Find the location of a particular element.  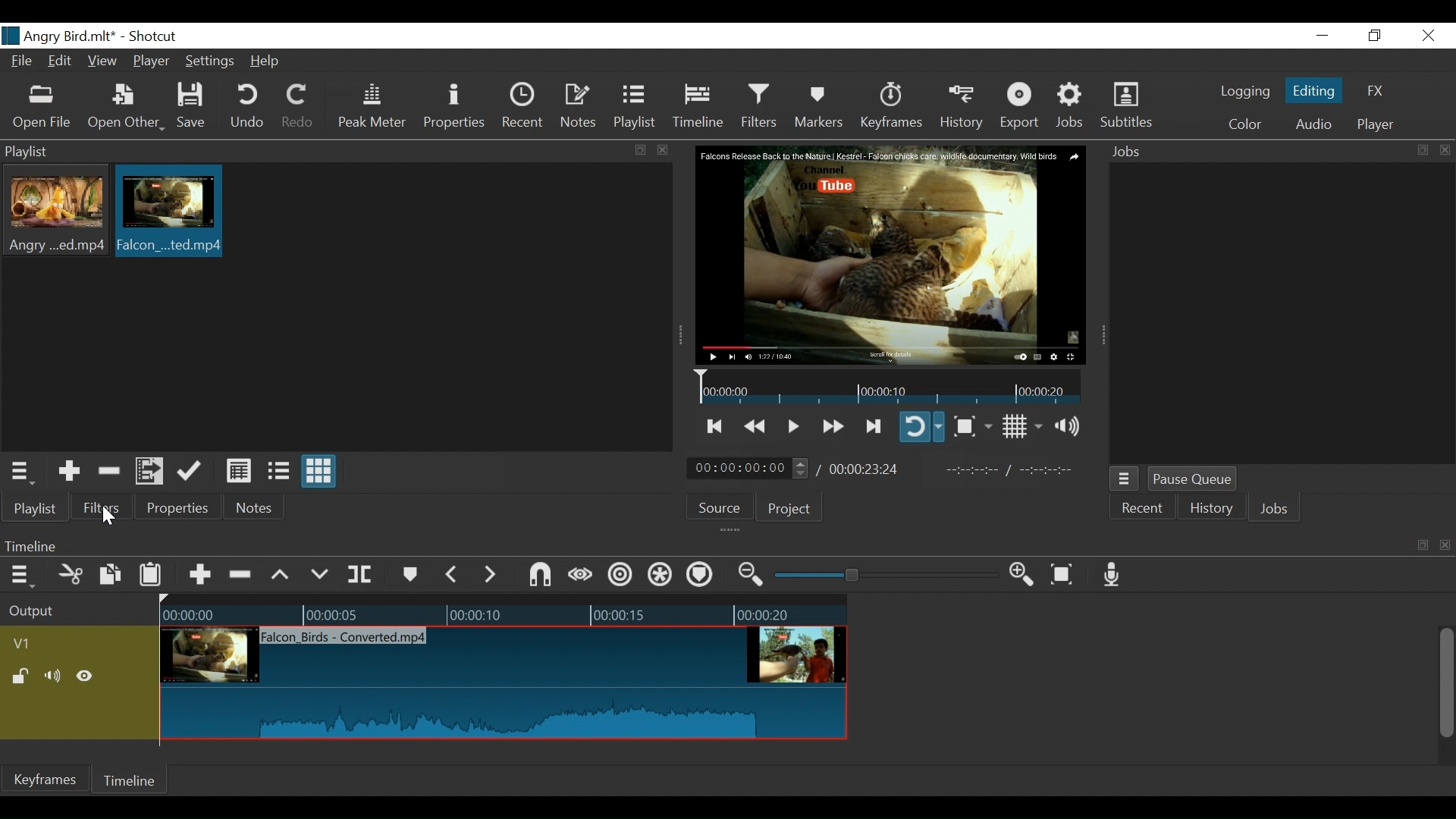

Clip is located at coordinates (168, 211).